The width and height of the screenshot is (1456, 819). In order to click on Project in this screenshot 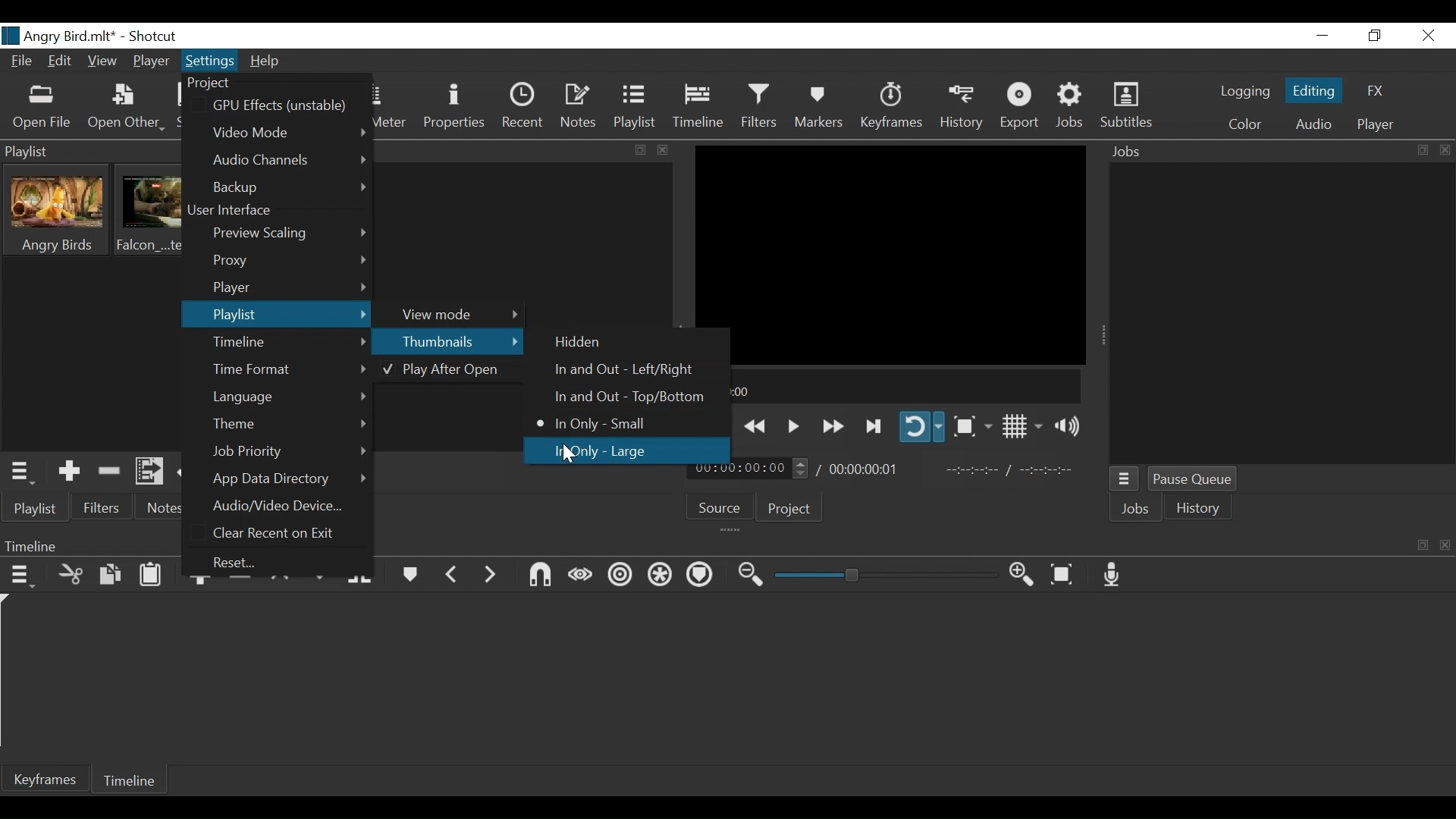, I will do `click(789, 509)`.